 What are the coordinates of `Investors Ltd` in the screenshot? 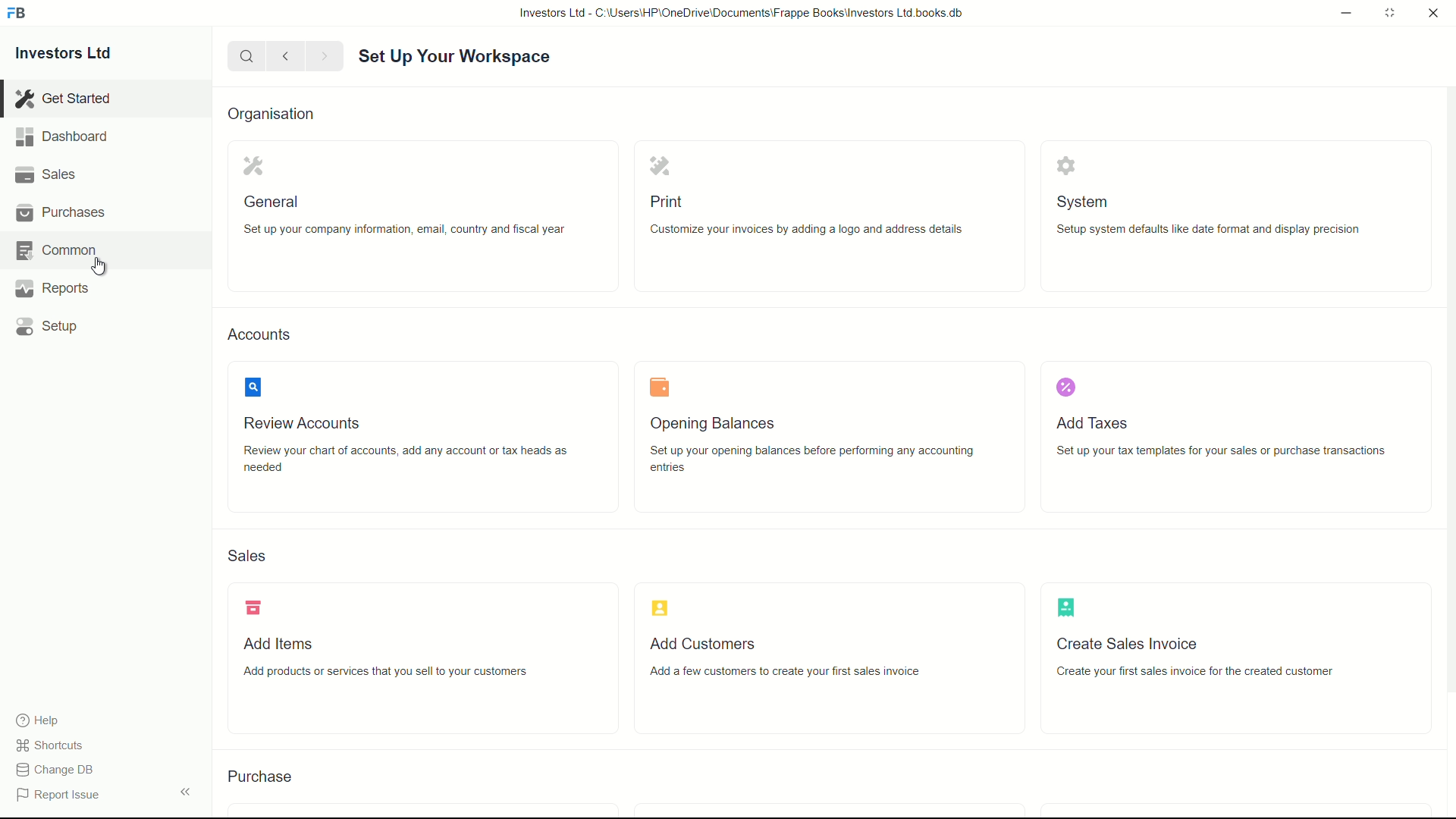 It's located at (77, 55).